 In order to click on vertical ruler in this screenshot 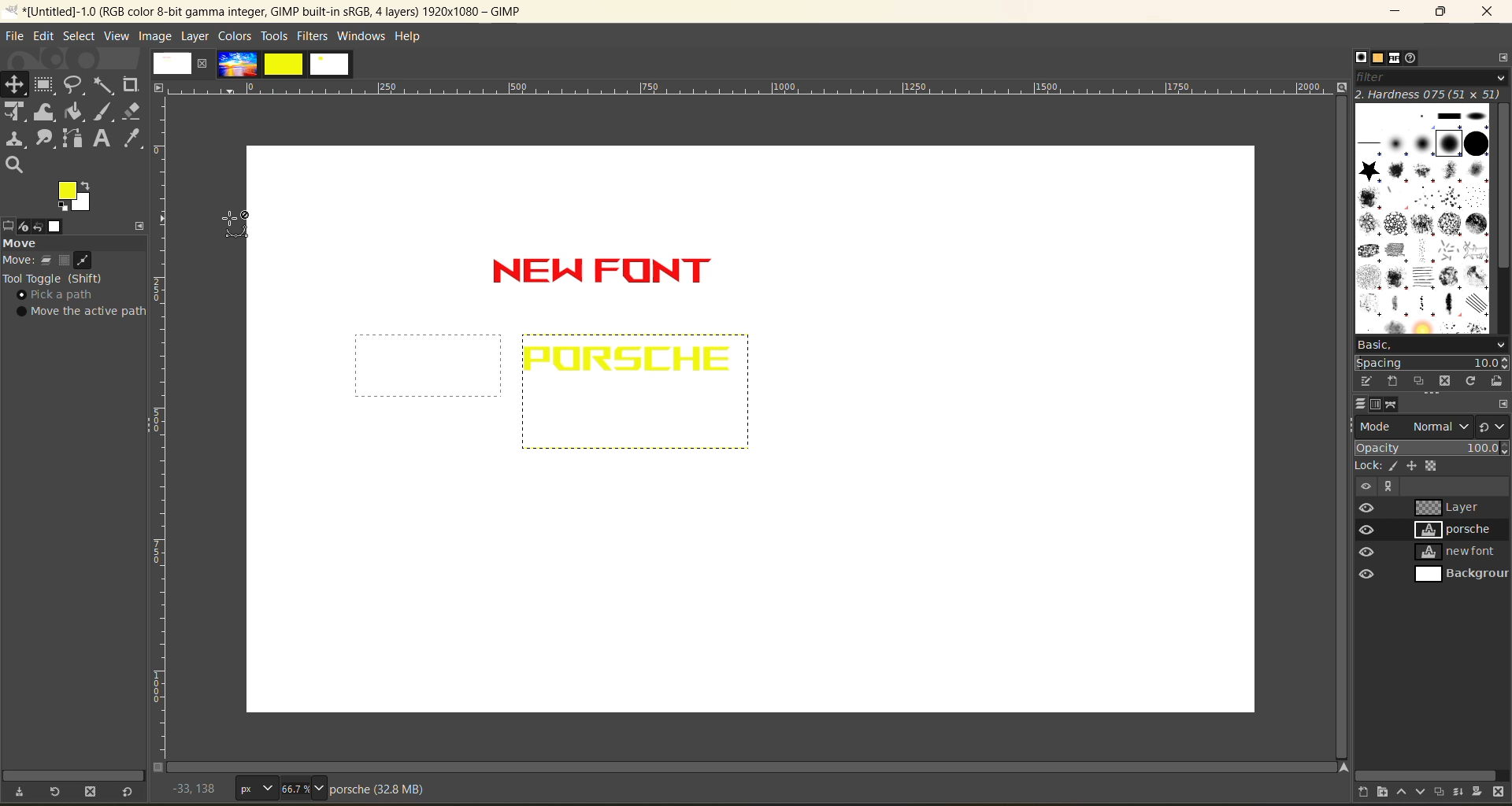, I will do `click(159, 427)`.